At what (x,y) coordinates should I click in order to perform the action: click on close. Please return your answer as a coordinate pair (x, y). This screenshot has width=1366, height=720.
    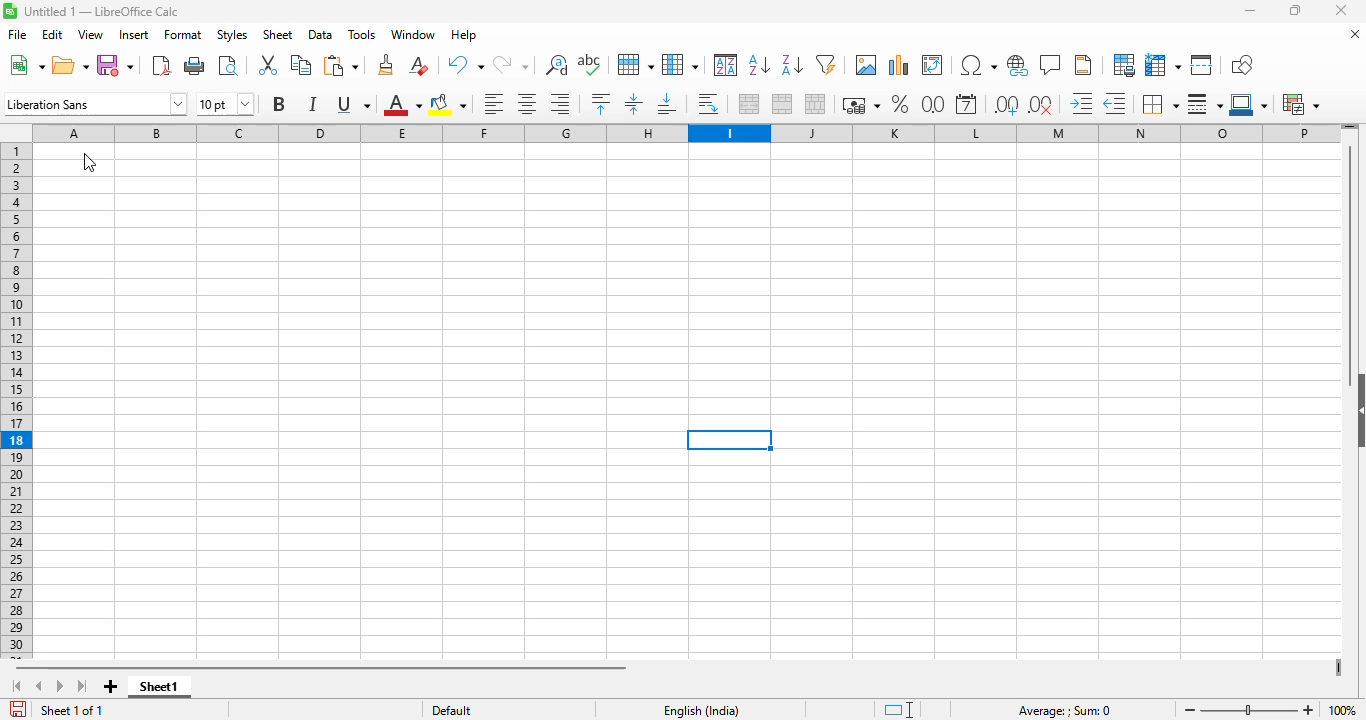
    Looking at the image, I should click on (1340, 10).